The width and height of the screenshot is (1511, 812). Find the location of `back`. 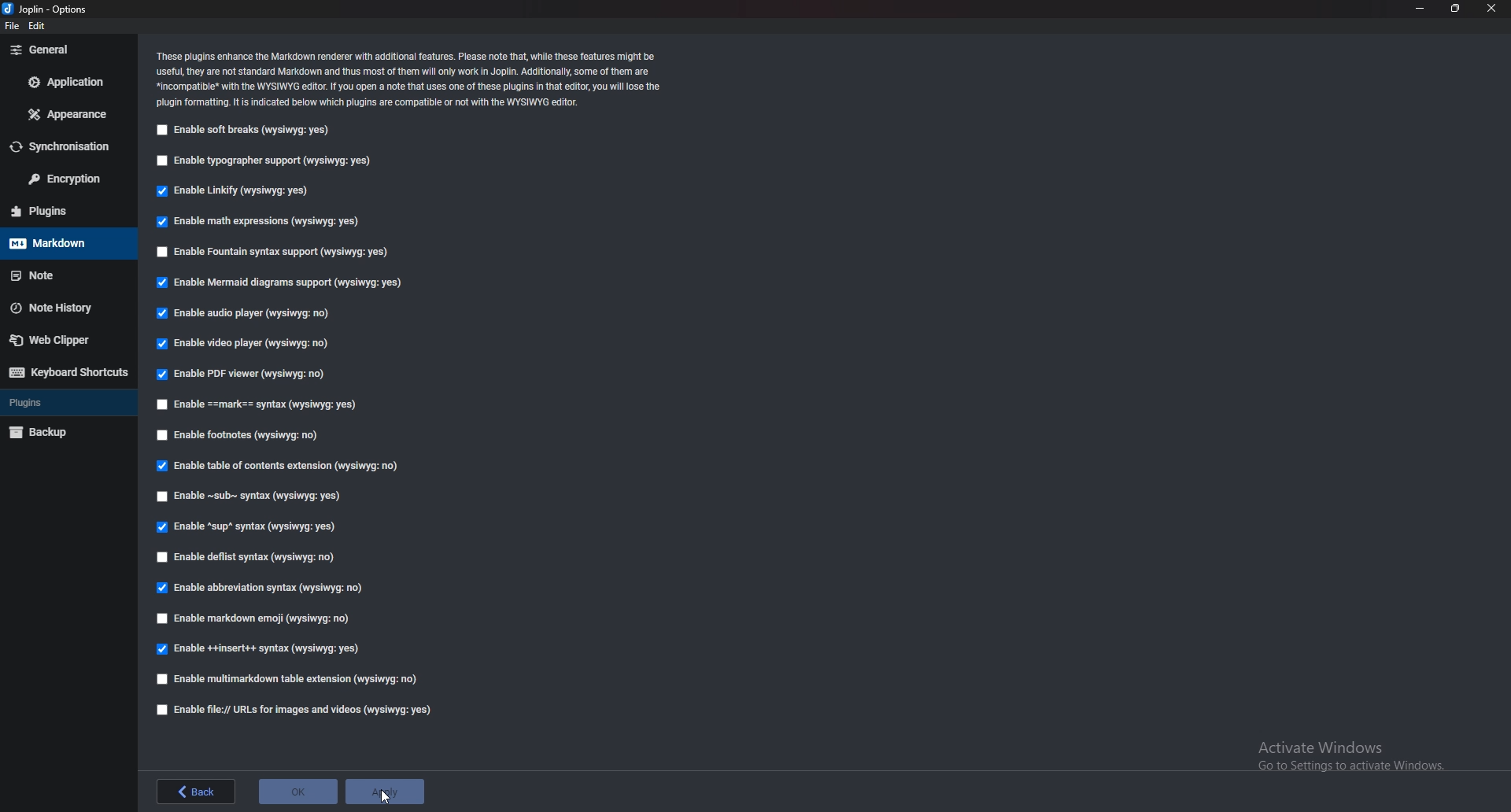

back is located at coordinates (197, 792).